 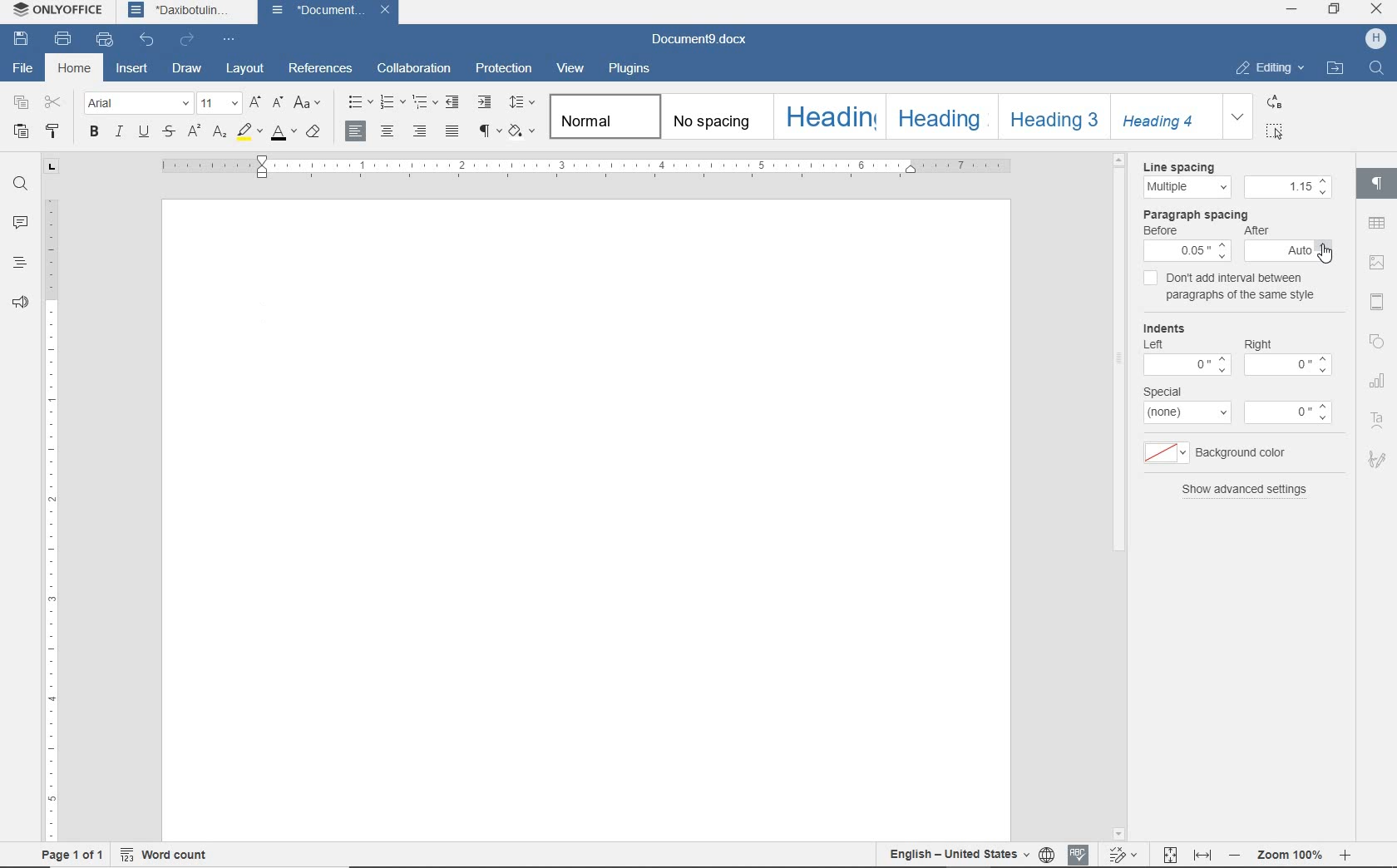 What do you see at coordinates (940, 116) in the screenshot?
I see `Heading 2` at bounding box center [940, 116].